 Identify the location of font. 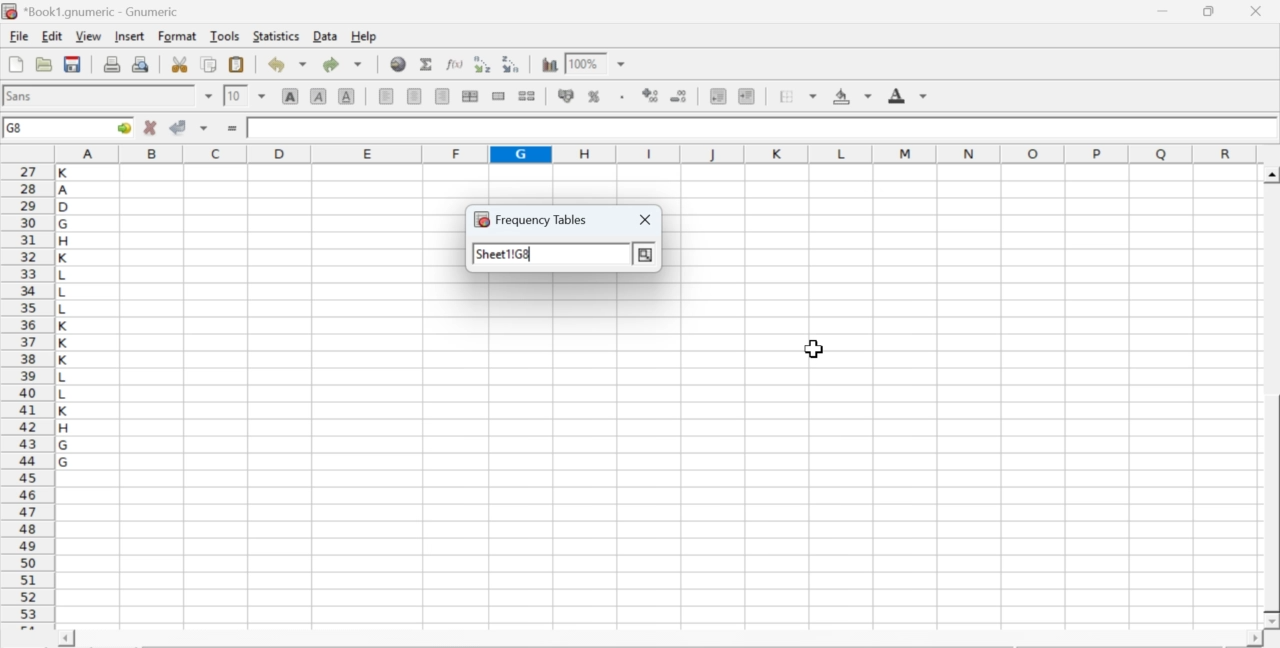
(22, 95).